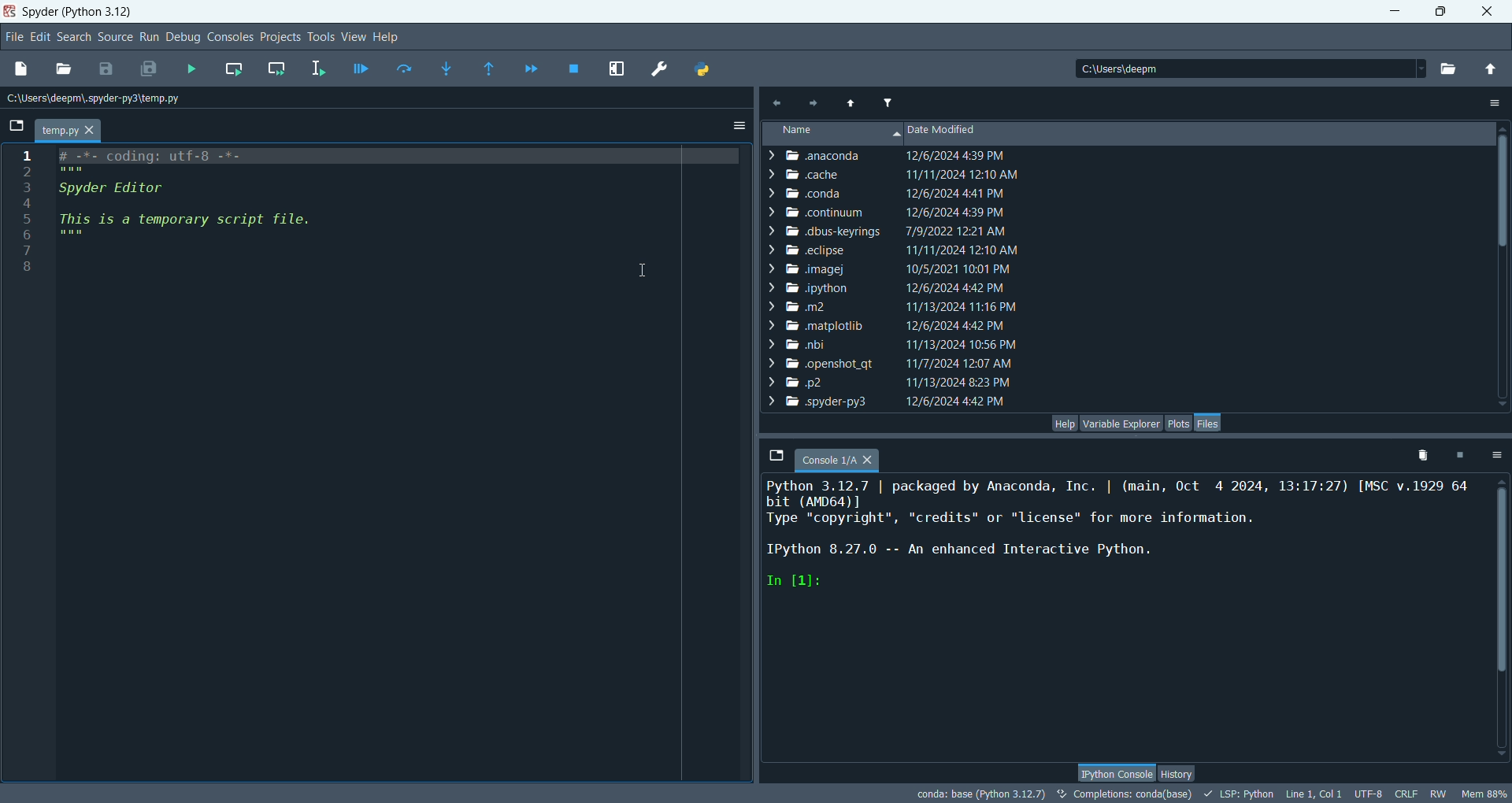 Image resolution: width=1512 pixels, height=803 pixels. What do you see at coordinates (75, 38) in the screenshot?
I see `search` at bounding box center [75, 38].